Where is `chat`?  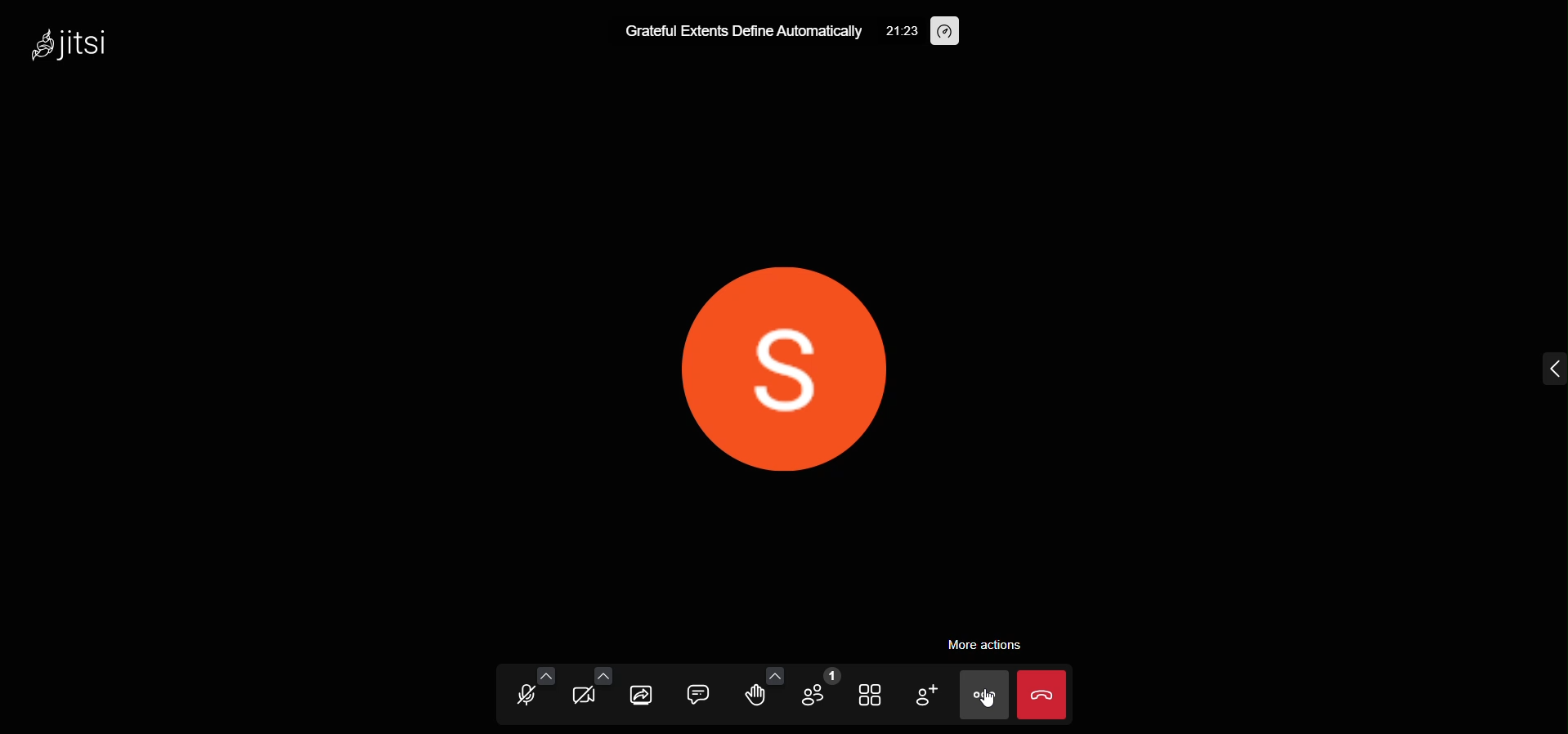
chat is located at coordinates (699, 692).